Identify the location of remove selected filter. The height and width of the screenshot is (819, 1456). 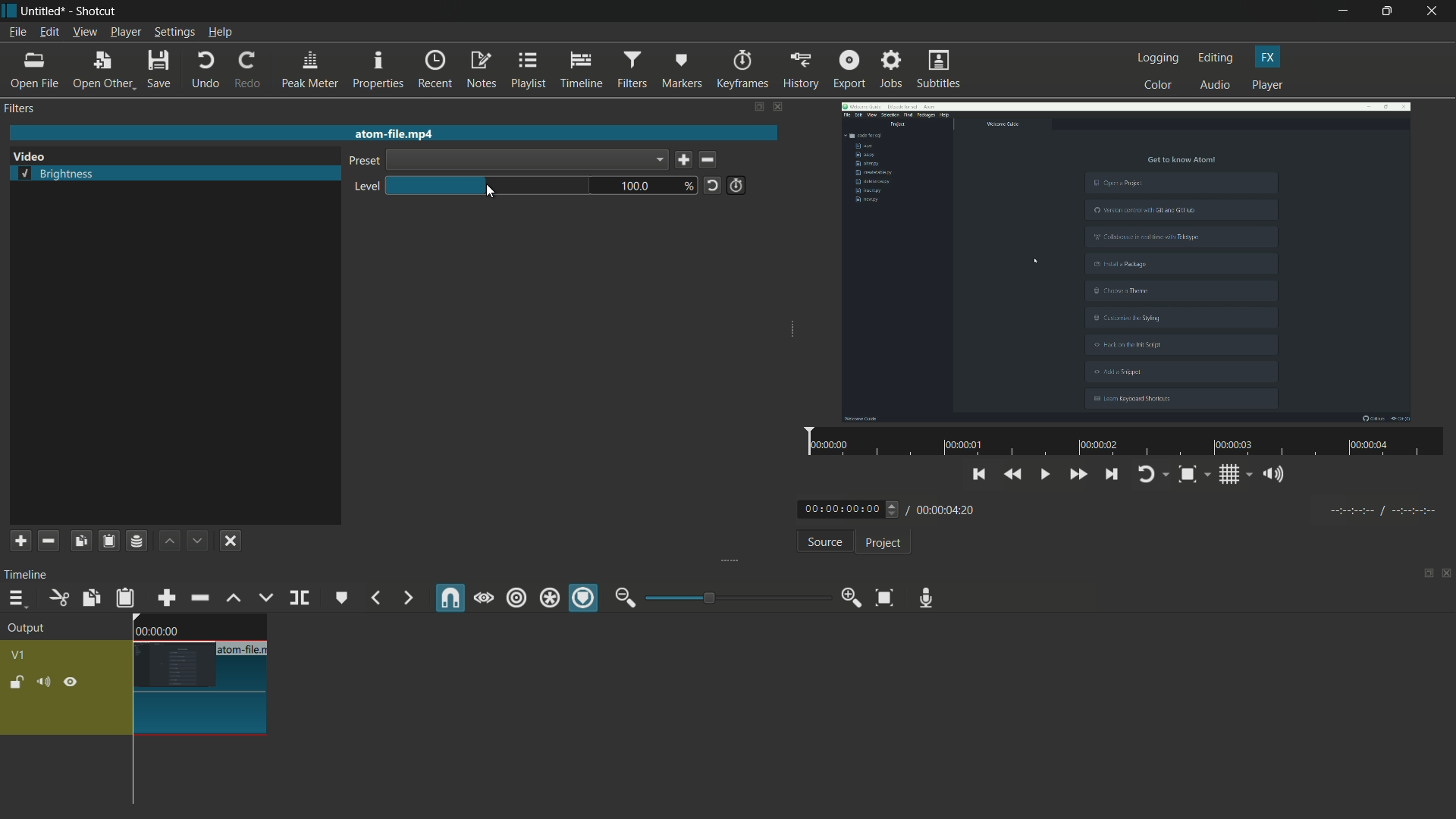
(49, 541).